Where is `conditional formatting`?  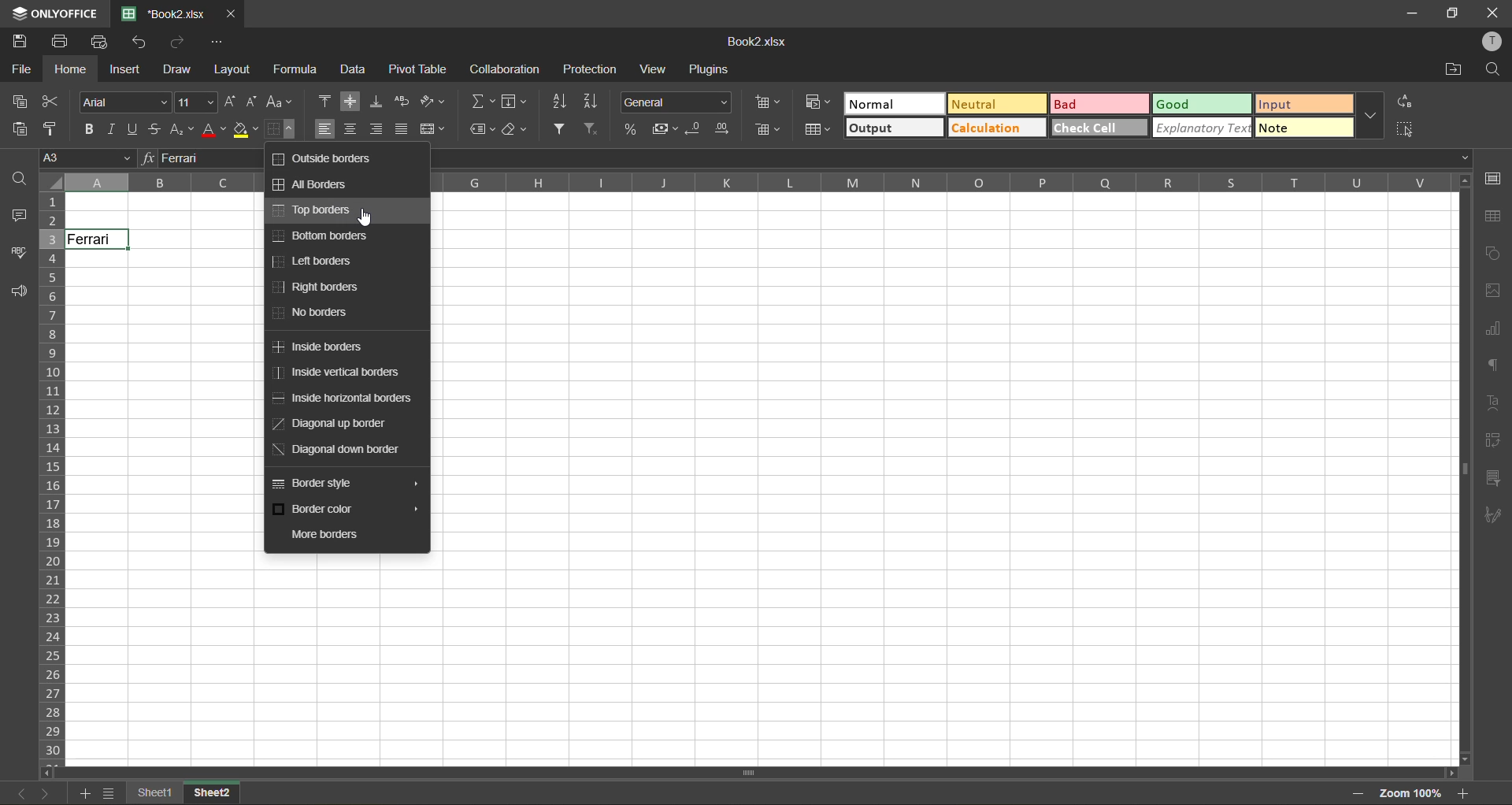 conditional formatting is located at coordinates (820, 103).